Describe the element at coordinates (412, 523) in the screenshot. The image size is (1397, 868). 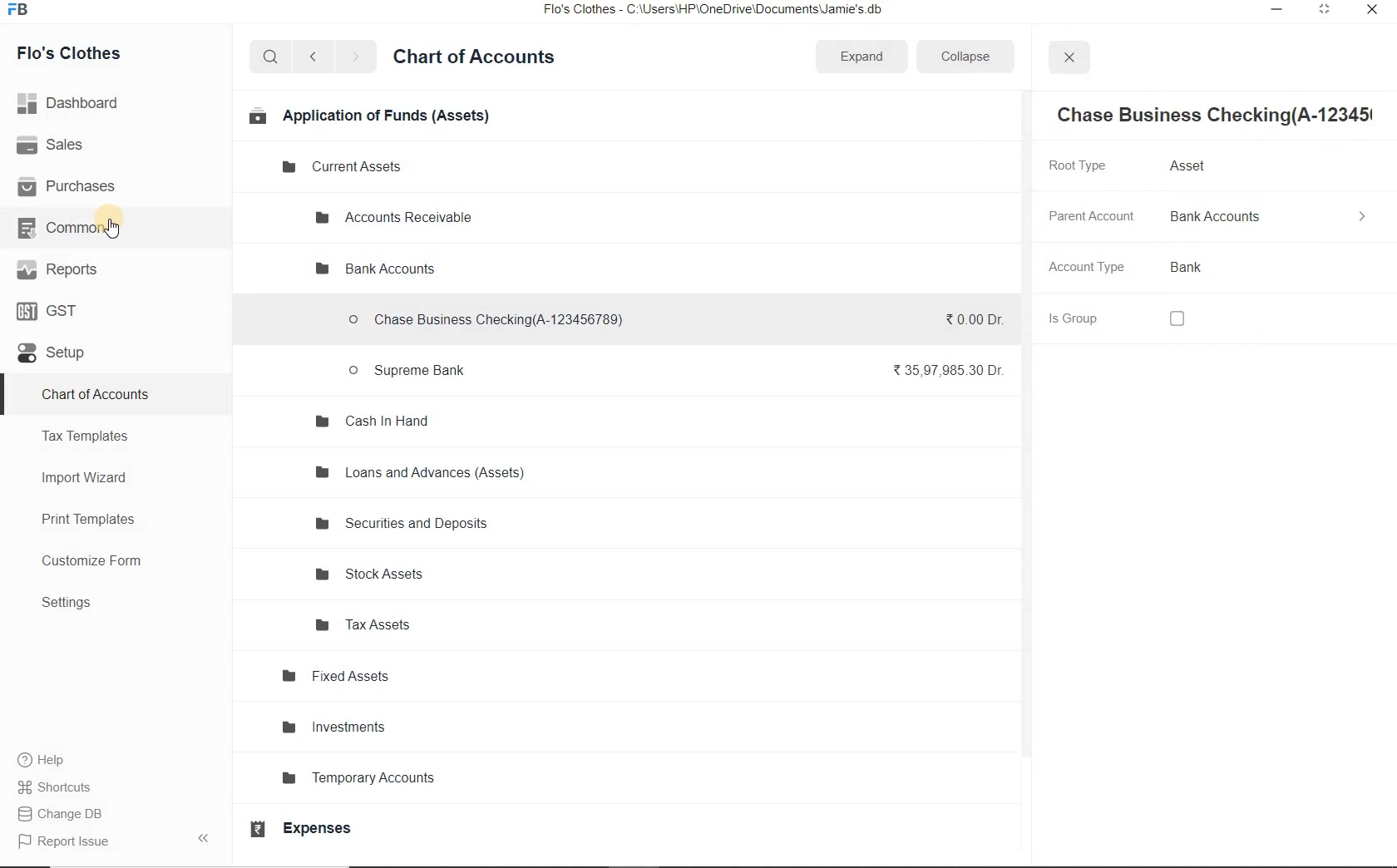
I see `Securities and Deposits` at that location.